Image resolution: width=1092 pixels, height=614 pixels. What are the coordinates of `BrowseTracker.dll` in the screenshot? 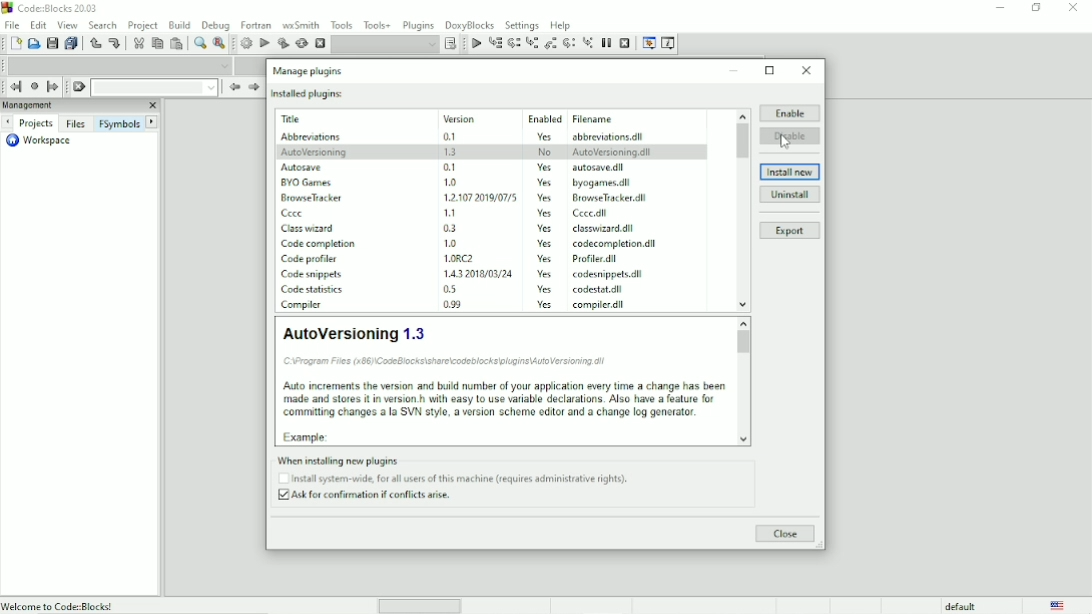 It's located at (605, 198).